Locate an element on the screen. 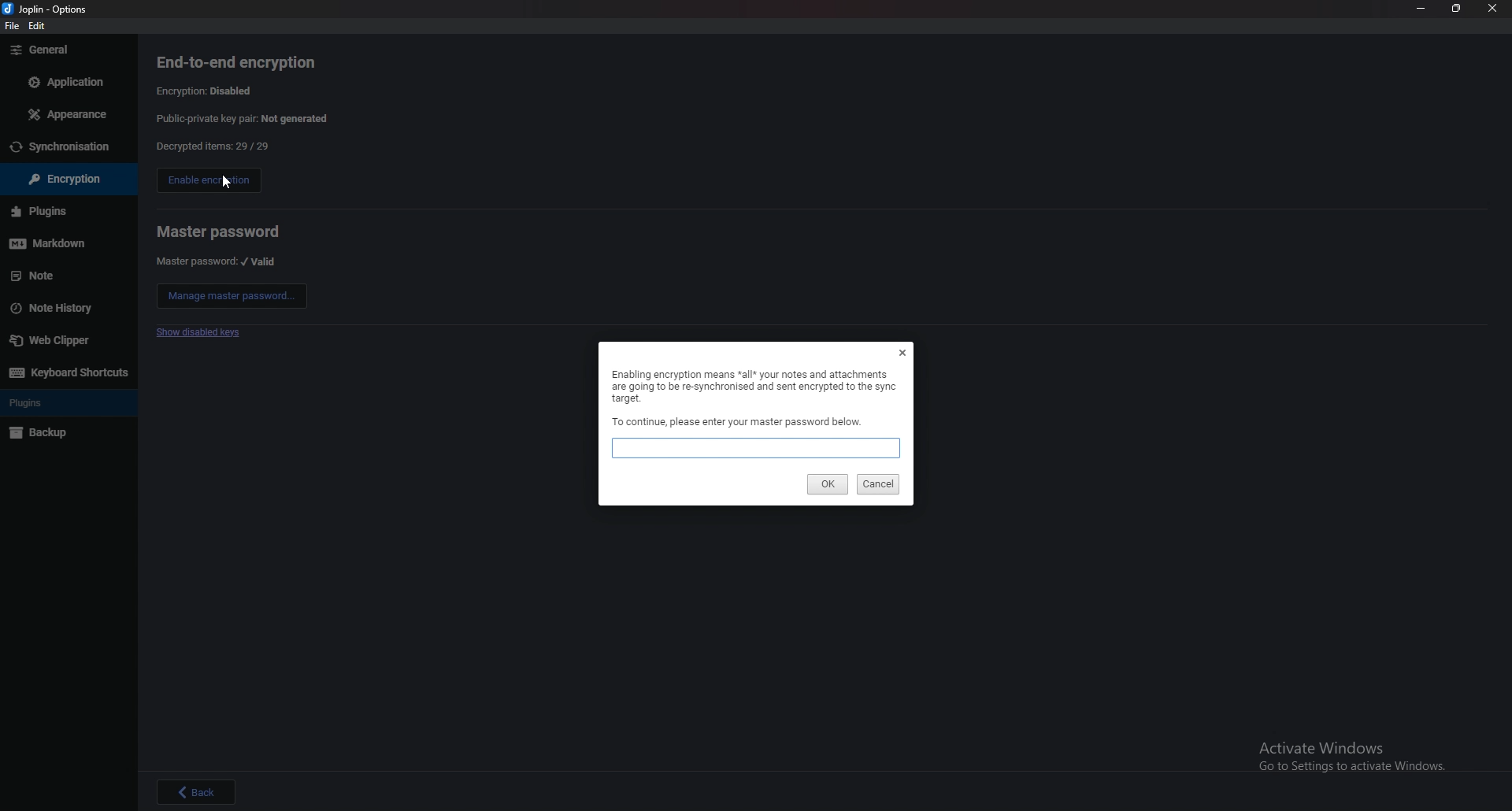 This screenshot has width=1512, height=811. Text is located at coordinates (738, 421).